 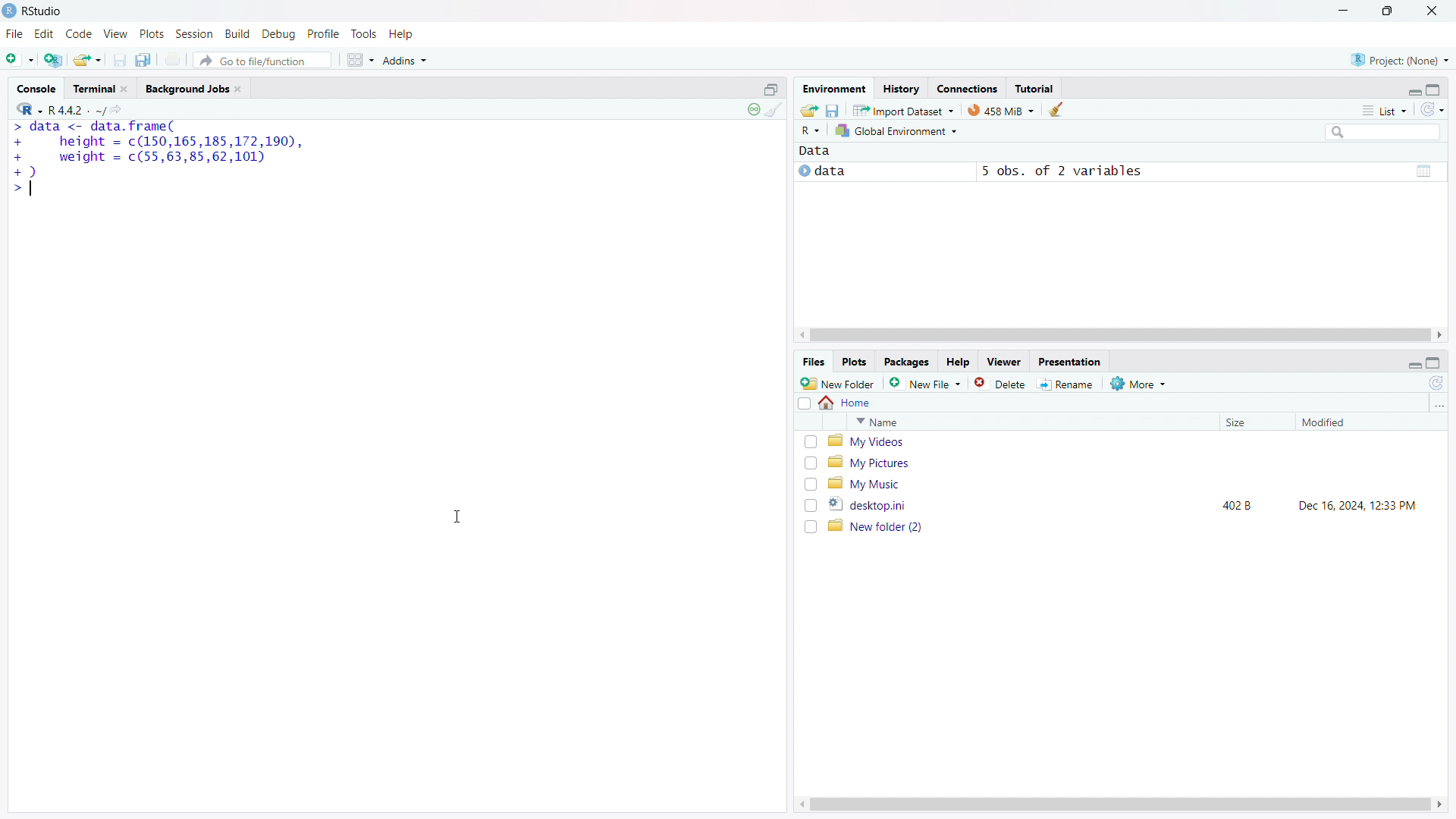 I want to click on my pictures, so click(x=1131, y=462).